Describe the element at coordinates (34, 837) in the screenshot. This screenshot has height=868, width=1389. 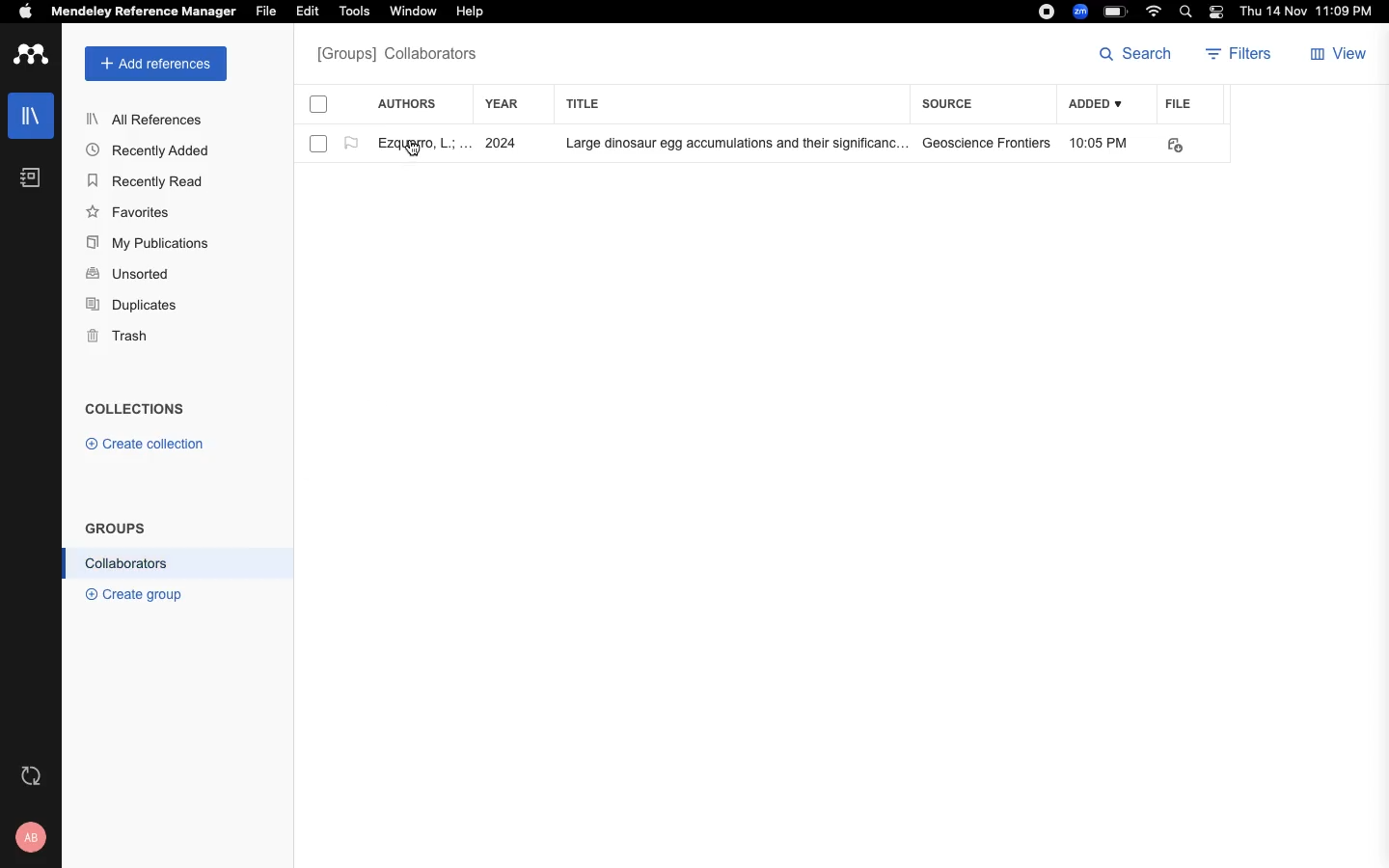
I see `profile` at that location.